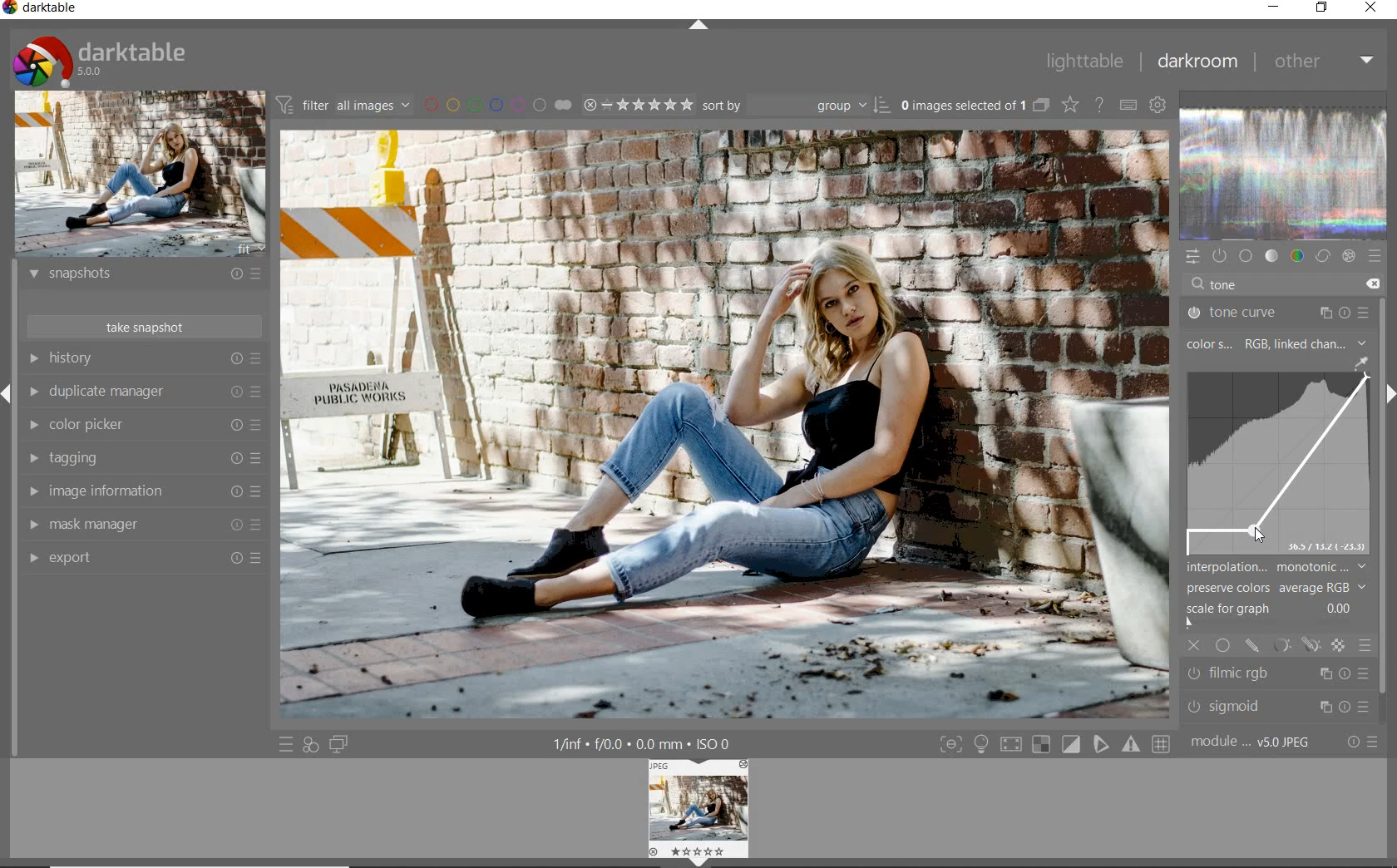  I want to click on color s.. RGB, so click(1225, 344).